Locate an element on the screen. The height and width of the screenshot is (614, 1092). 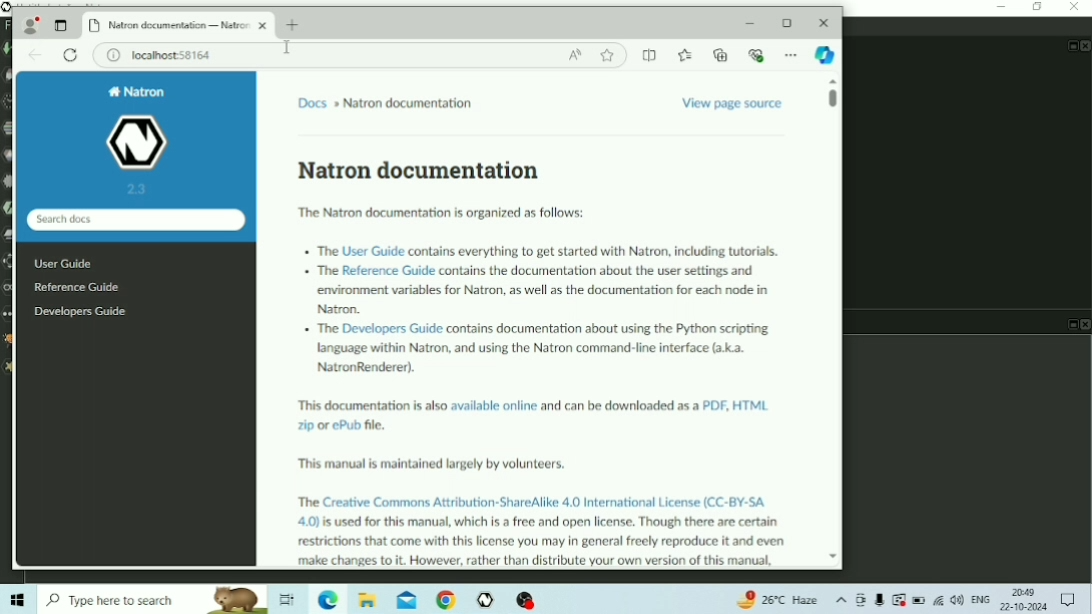
Date is located at coordinates (1024, 607).